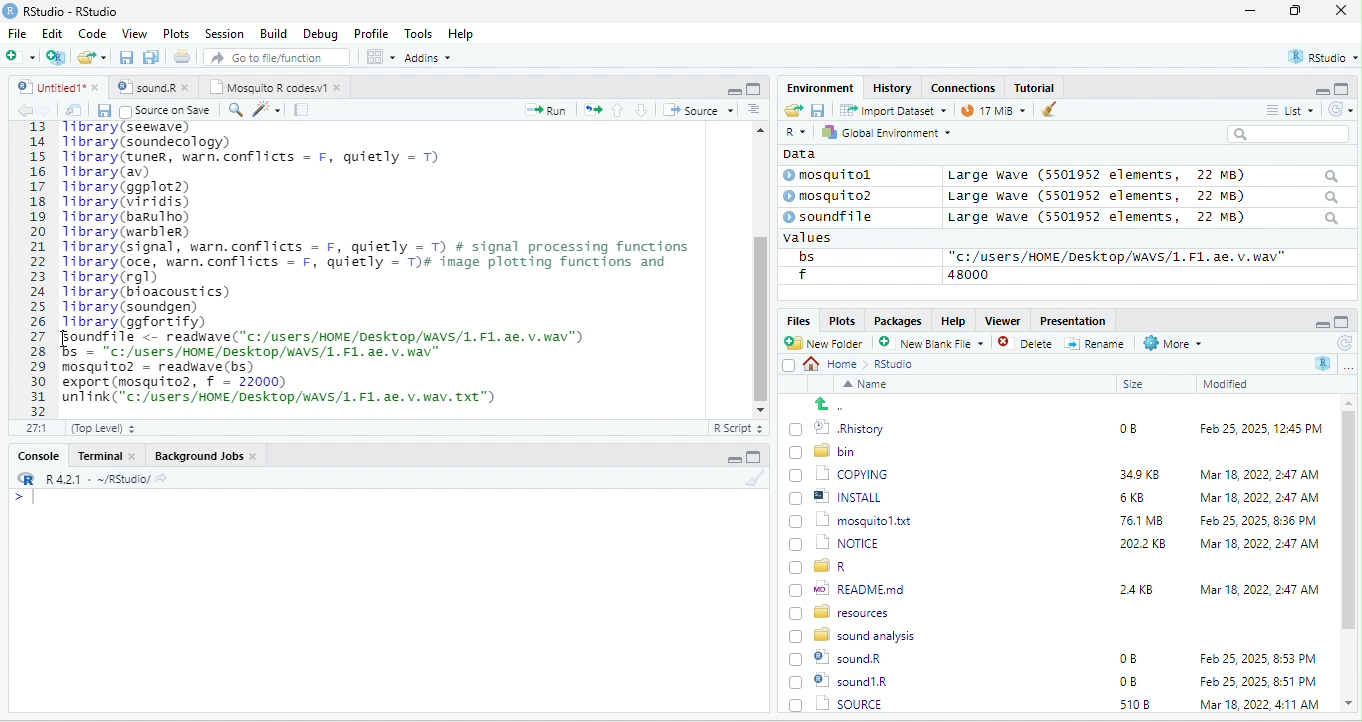 The image size is (1362, 722). Describe the element at coordinates (17, 33) in the screenshot. I see `File` at that location.